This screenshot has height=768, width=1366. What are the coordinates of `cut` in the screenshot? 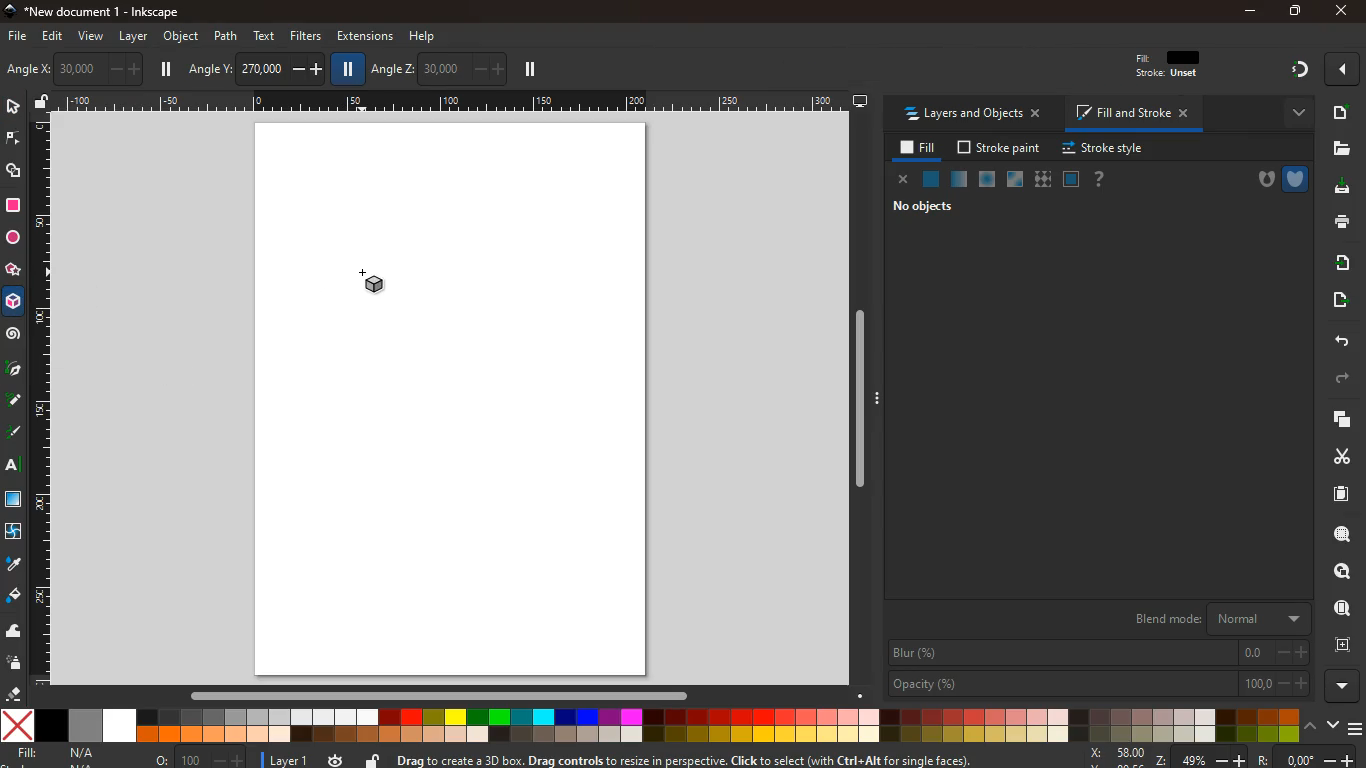 It's located at (1334, 456).